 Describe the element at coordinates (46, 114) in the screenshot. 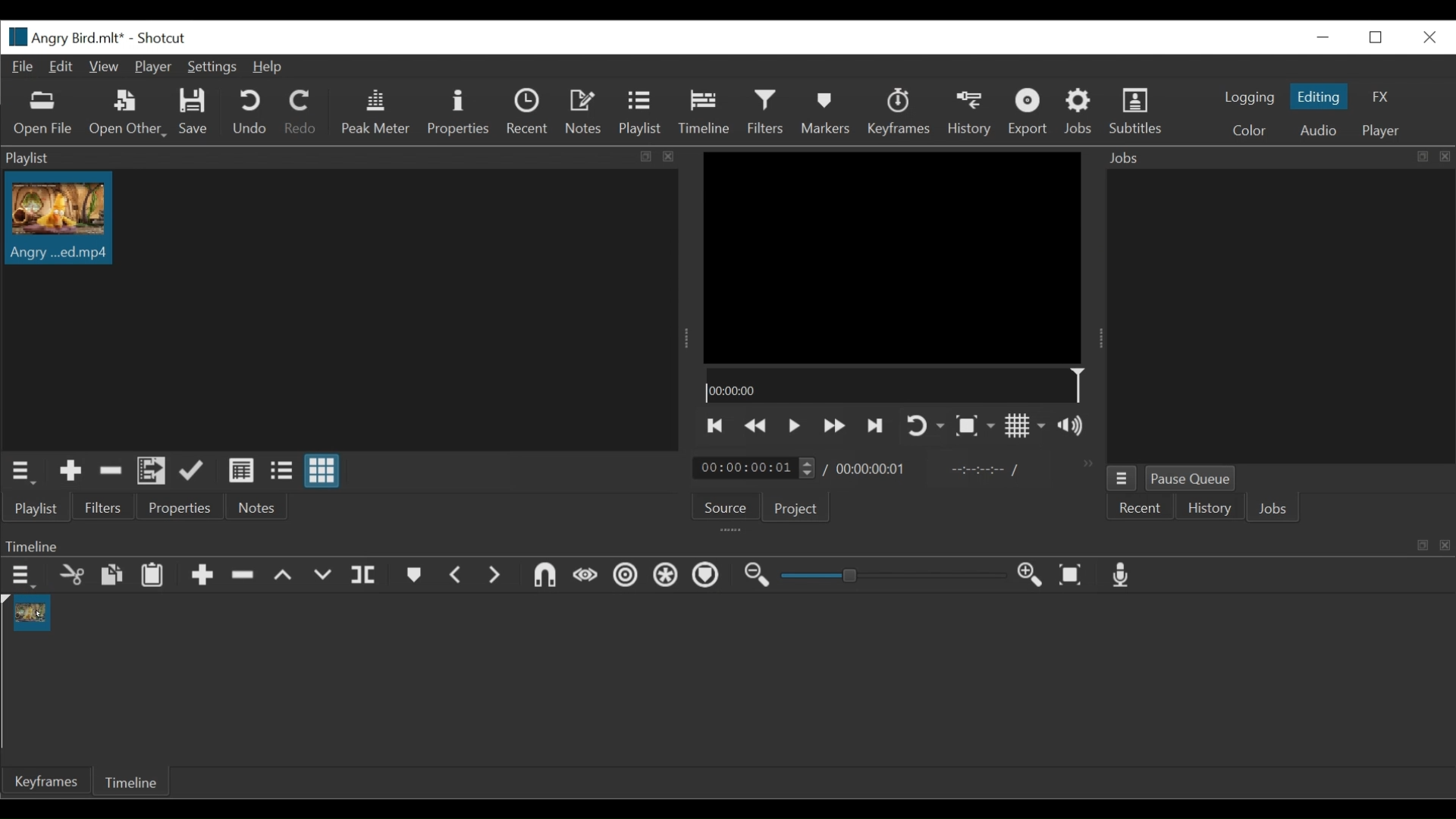

I see `Open File` at that location.